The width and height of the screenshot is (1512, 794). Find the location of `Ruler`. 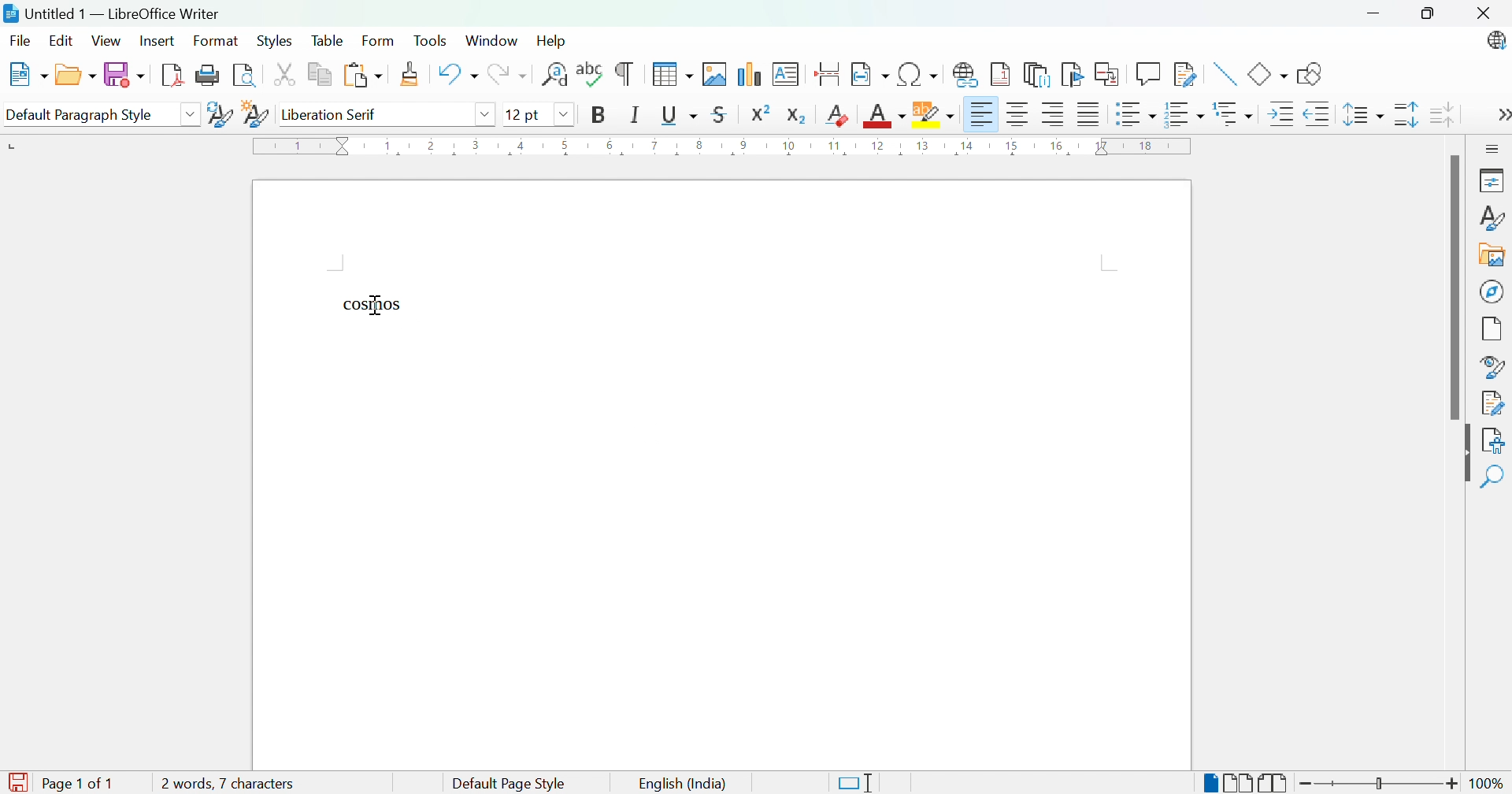

Ruler is located at coordinates (724, 148).